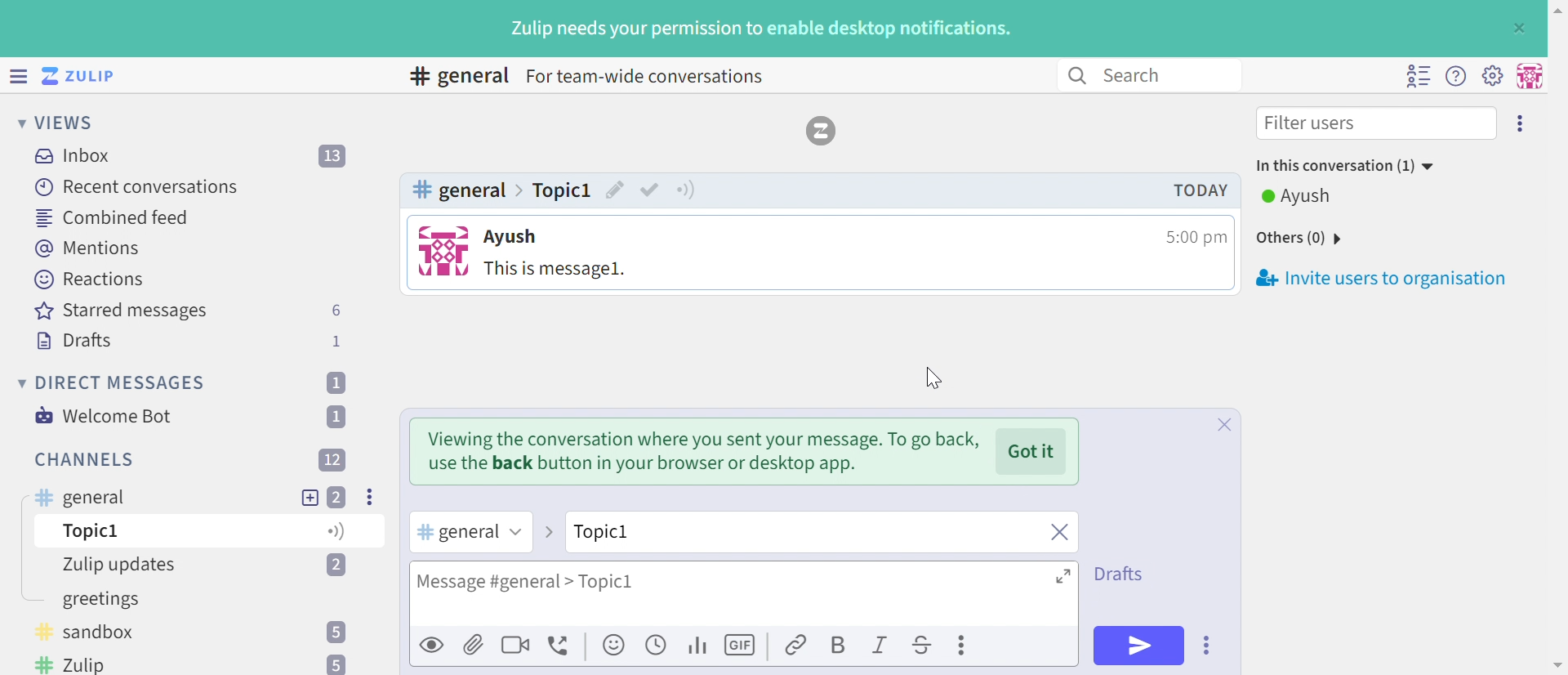 This screenshot has width=1568, height=675. I want to click on Link, so click(797, 646).